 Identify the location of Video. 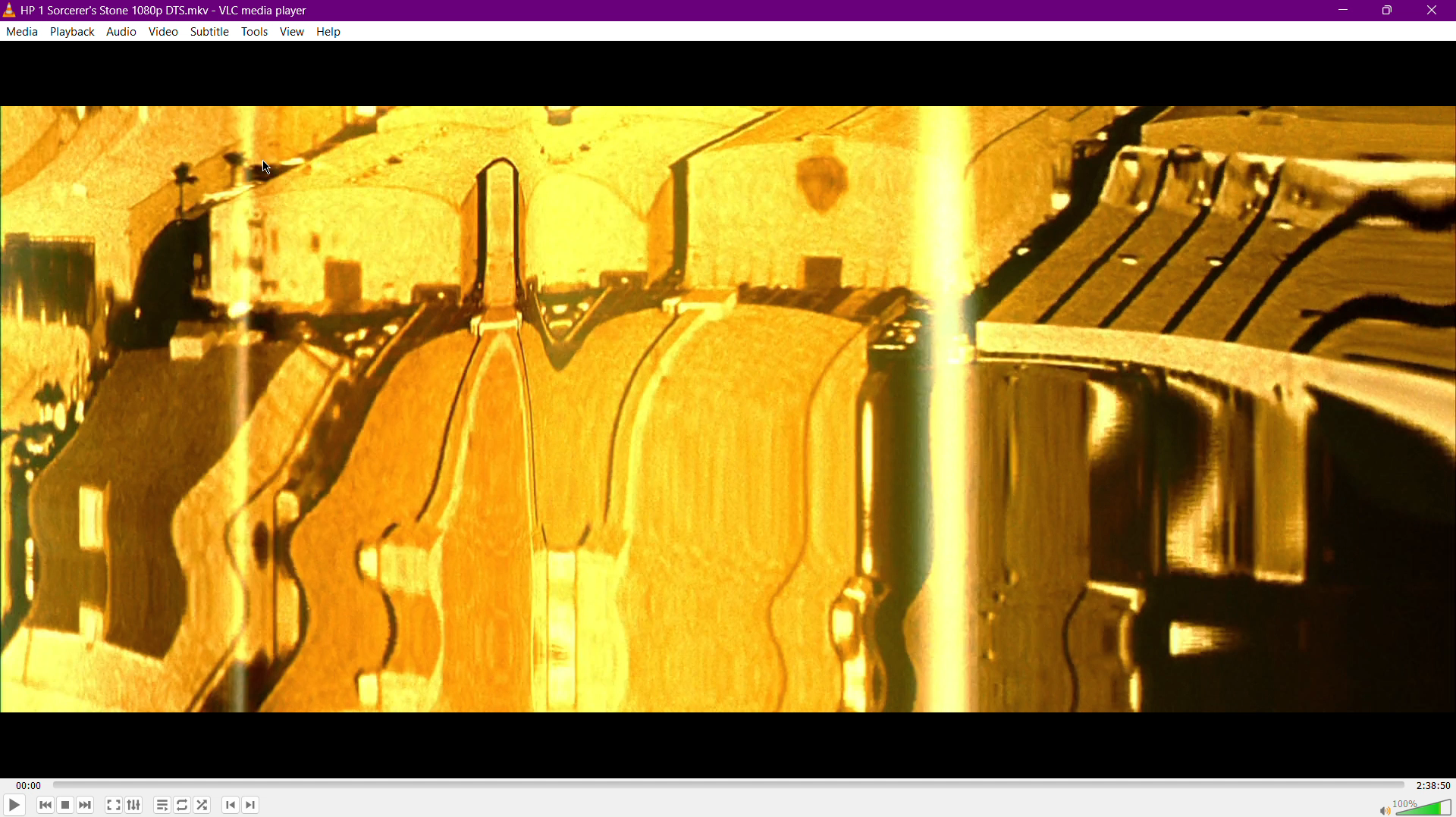
(729, 411).